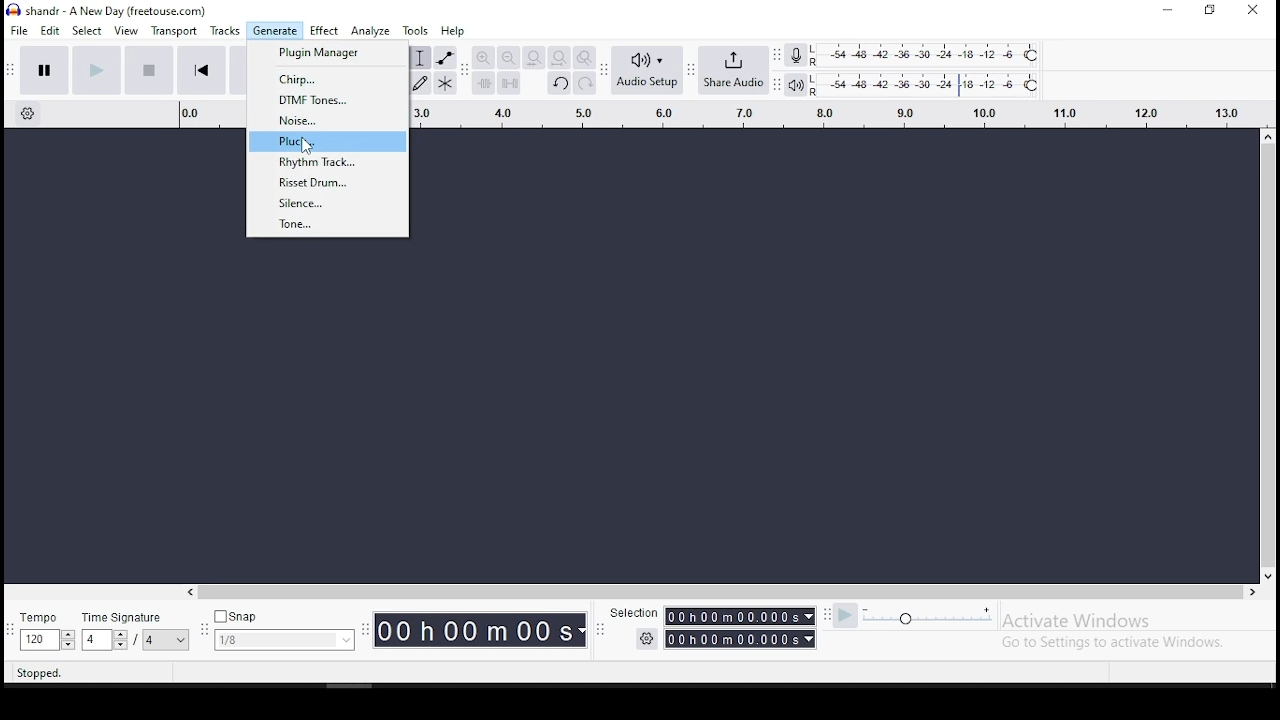 The image size is (1280, 720). I want to click on edit, so click(52, 31).